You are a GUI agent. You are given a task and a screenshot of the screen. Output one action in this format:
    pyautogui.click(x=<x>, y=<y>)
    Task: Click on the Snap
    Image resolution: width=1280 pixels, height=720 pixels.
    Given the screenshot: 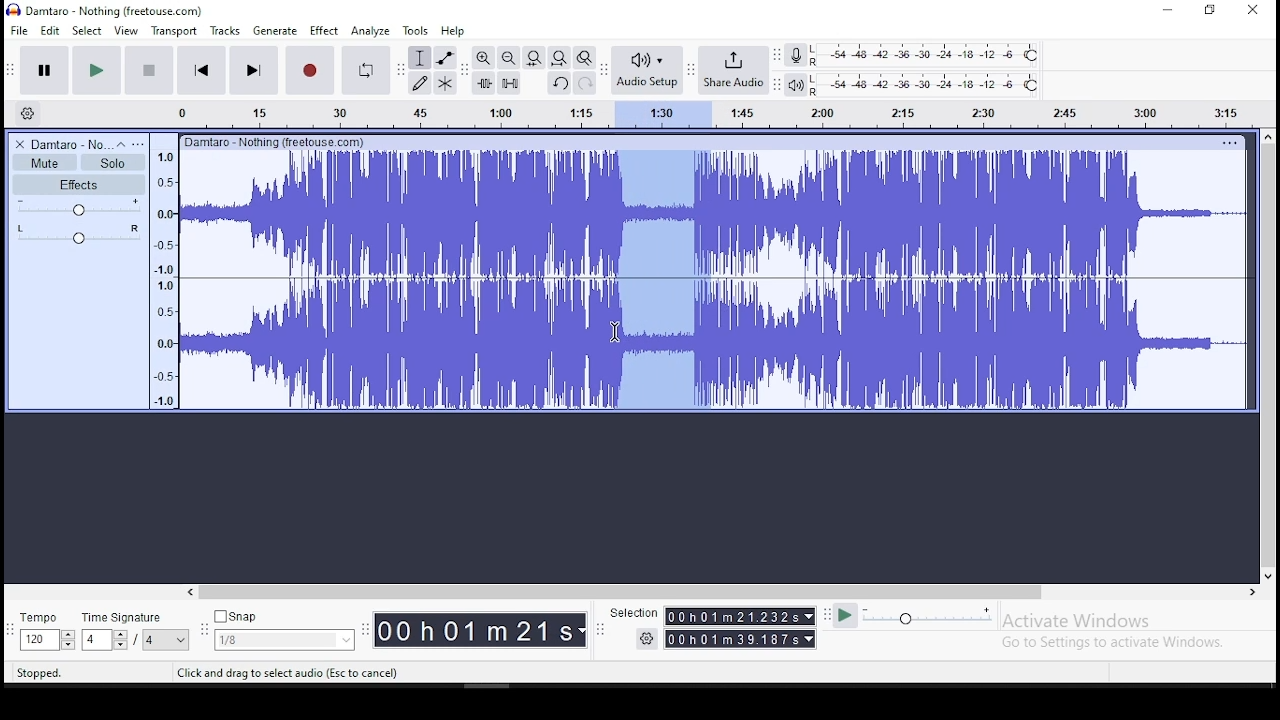 What is the action you would take?
    pyautogui.click(x=284, y=617)
    